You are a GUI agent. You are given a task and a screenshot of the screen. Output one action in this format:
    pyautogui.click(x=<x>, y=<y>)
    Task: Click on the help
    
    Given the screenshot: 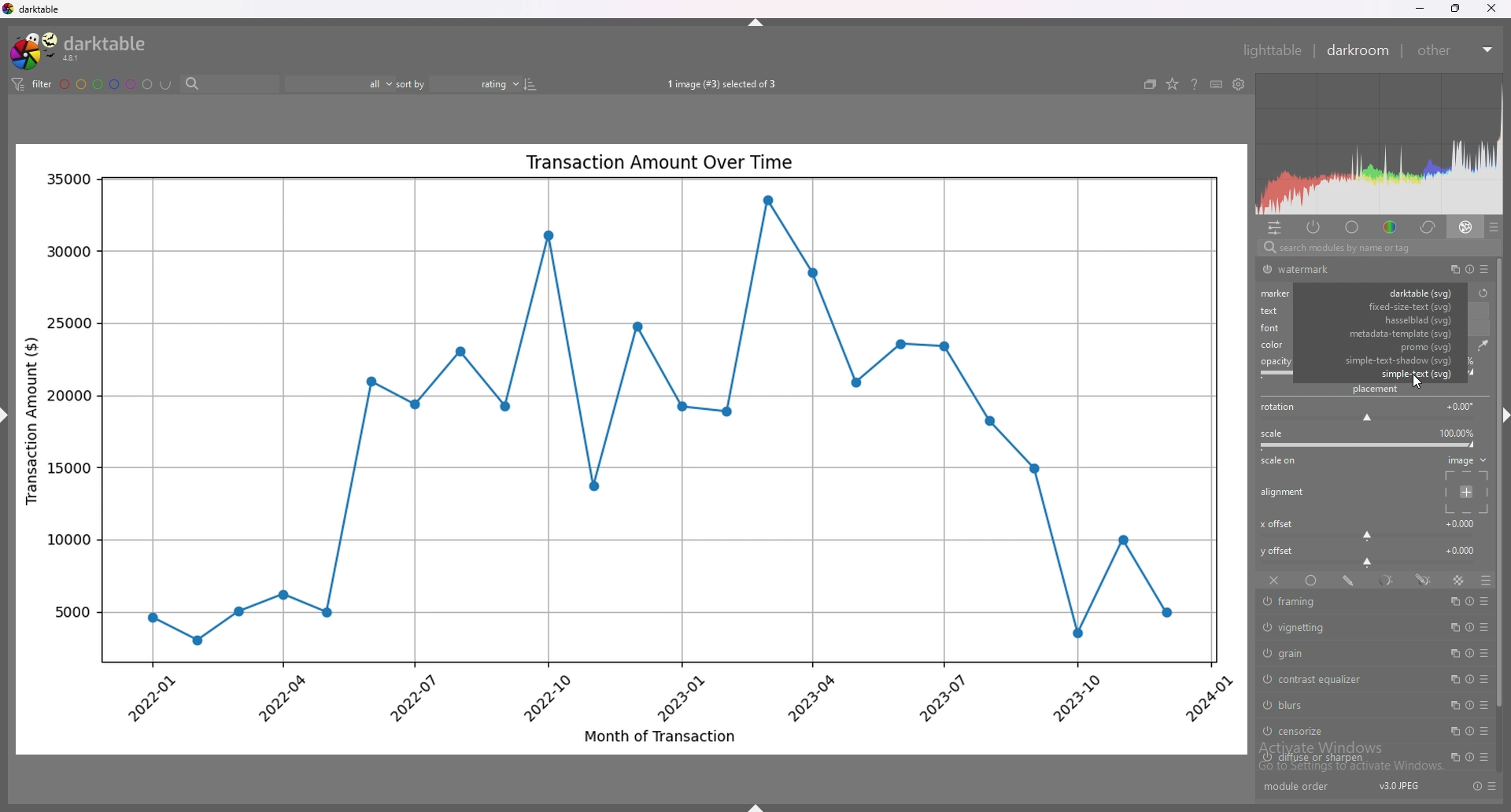 What is the action you would take?
    pyautogui.click(x=1195, y=85)
    